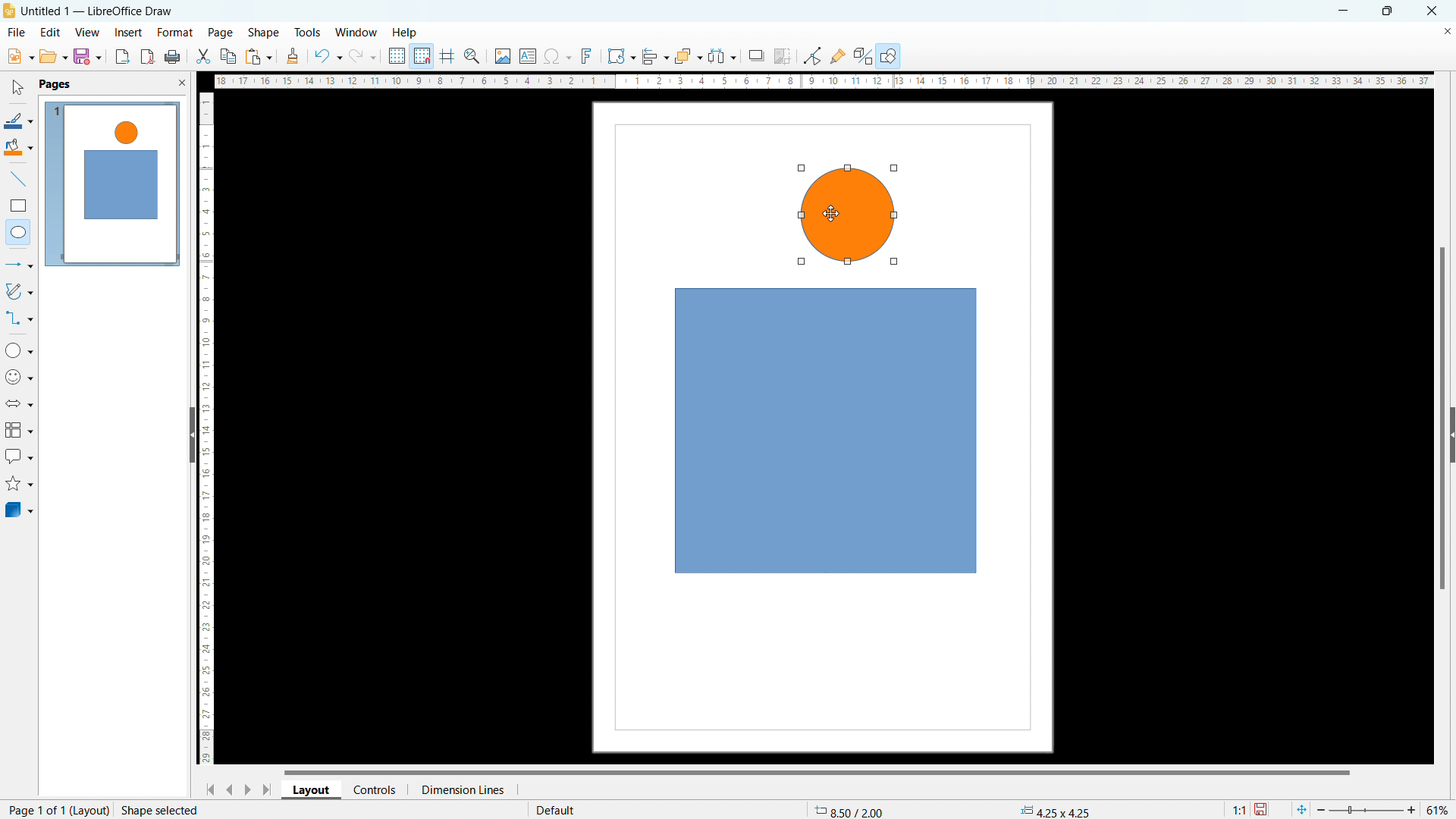 Image resolution: width=1456 pixels, height=819 pixels. I want to click on stars and banners, so click(18, 485).